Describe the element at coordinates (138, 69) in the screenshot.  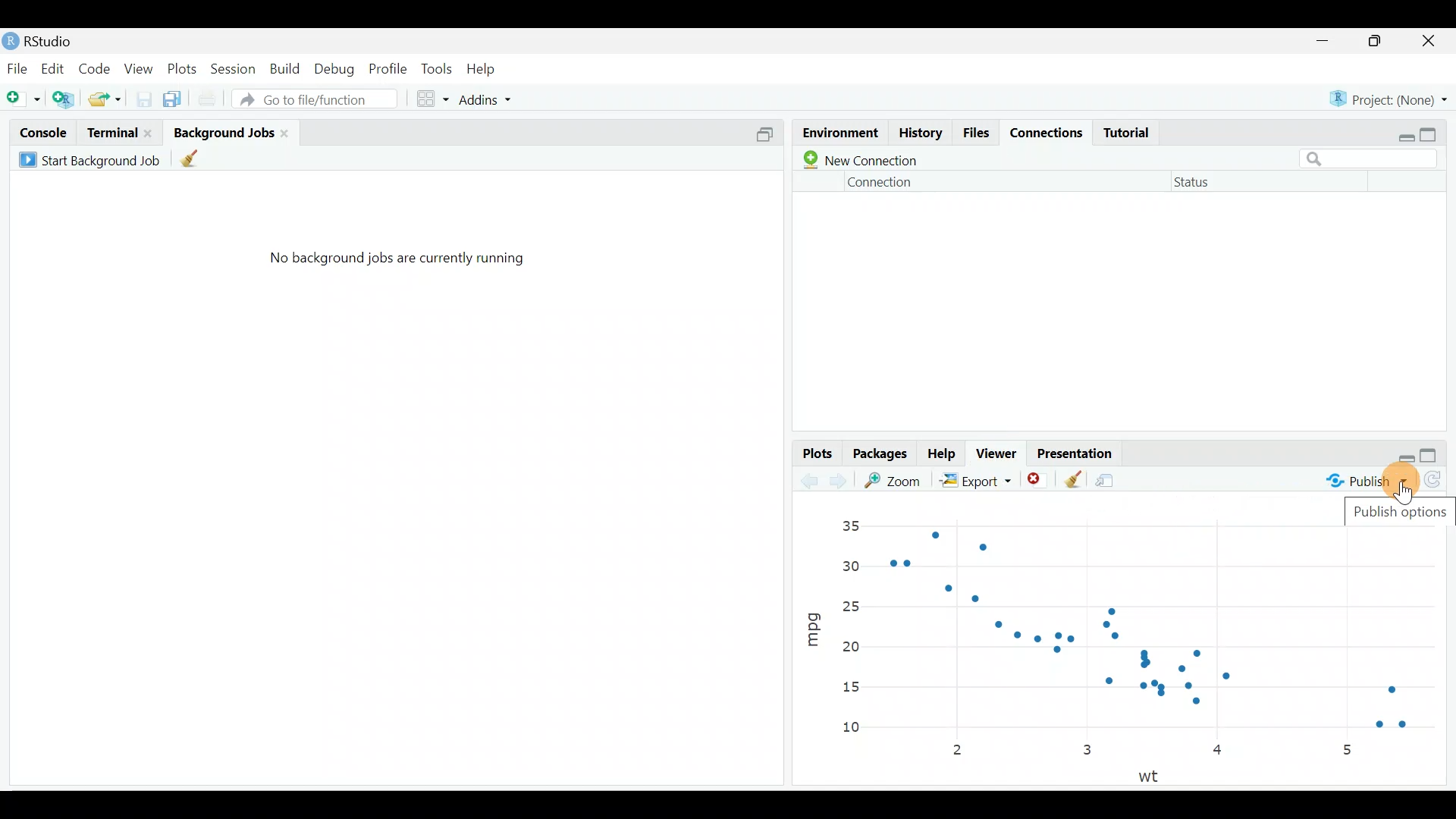
I see `View` at that location.